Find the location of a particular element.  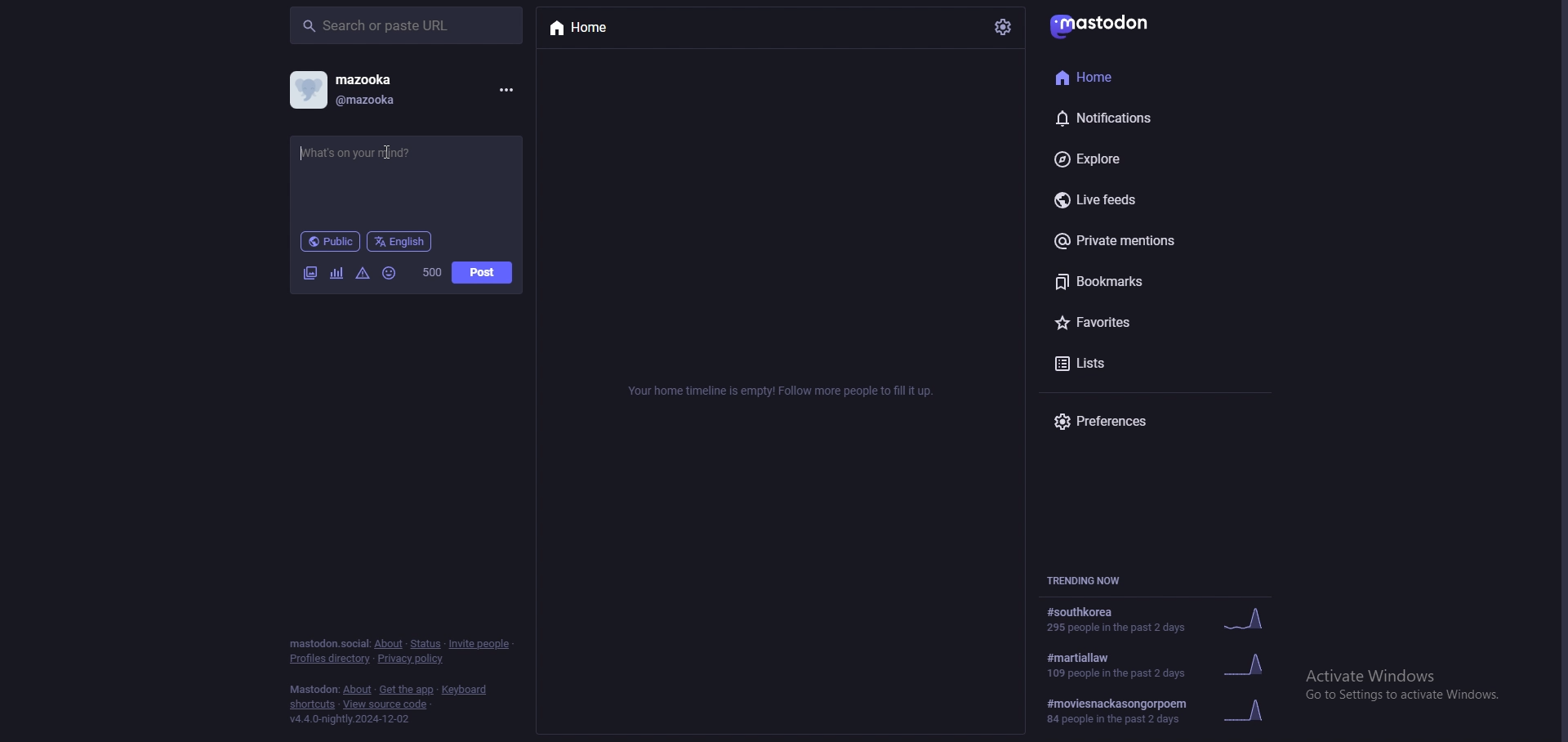

mastodon social is located at coordinates (327, 643).